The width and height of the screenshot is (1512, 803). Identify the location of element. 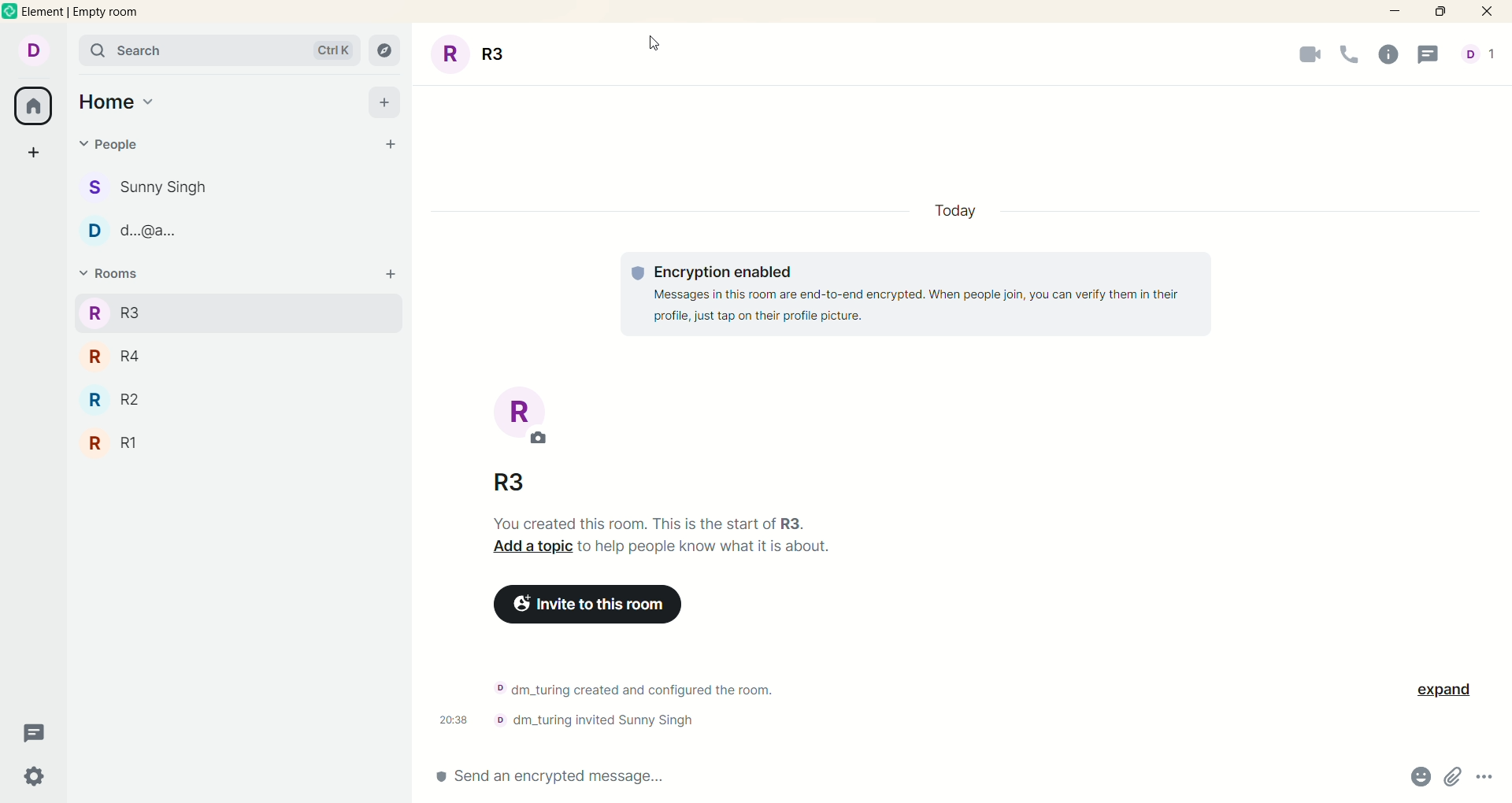
(83, 12).